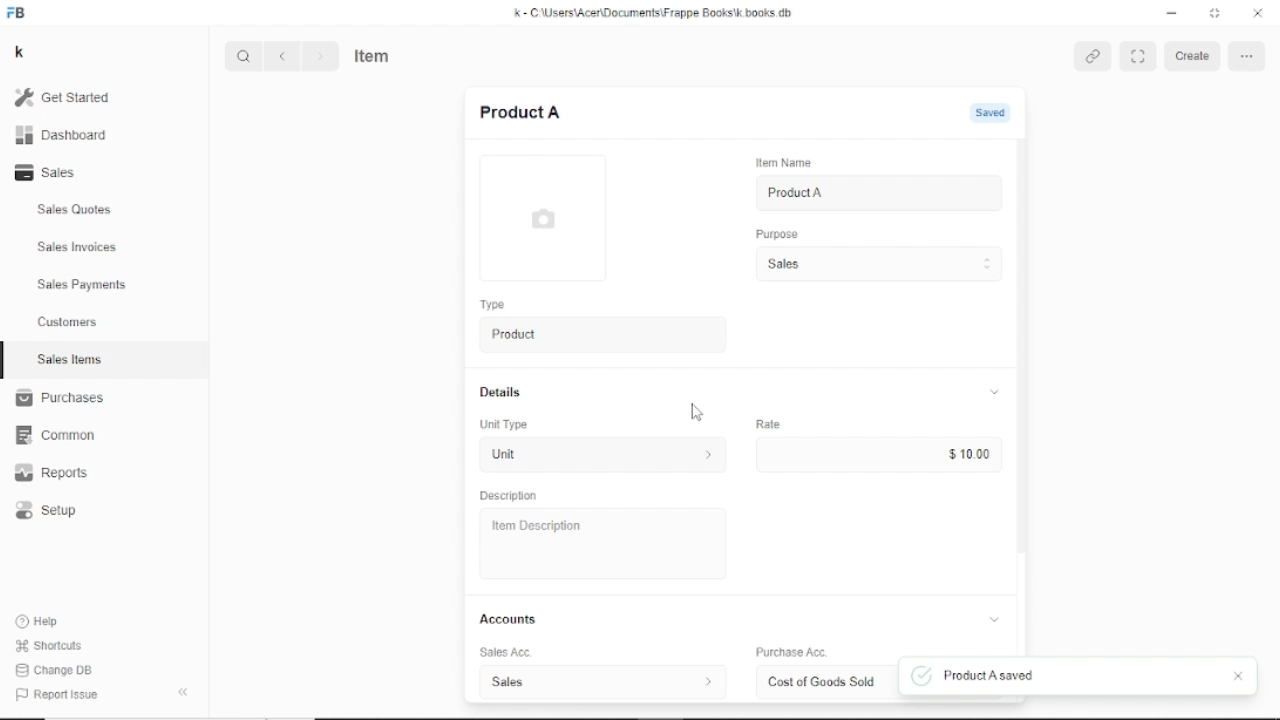  What do you see at coordinates (520, 112) in the screenshot?
I see `New Entry` at bounding box center [520, 112].